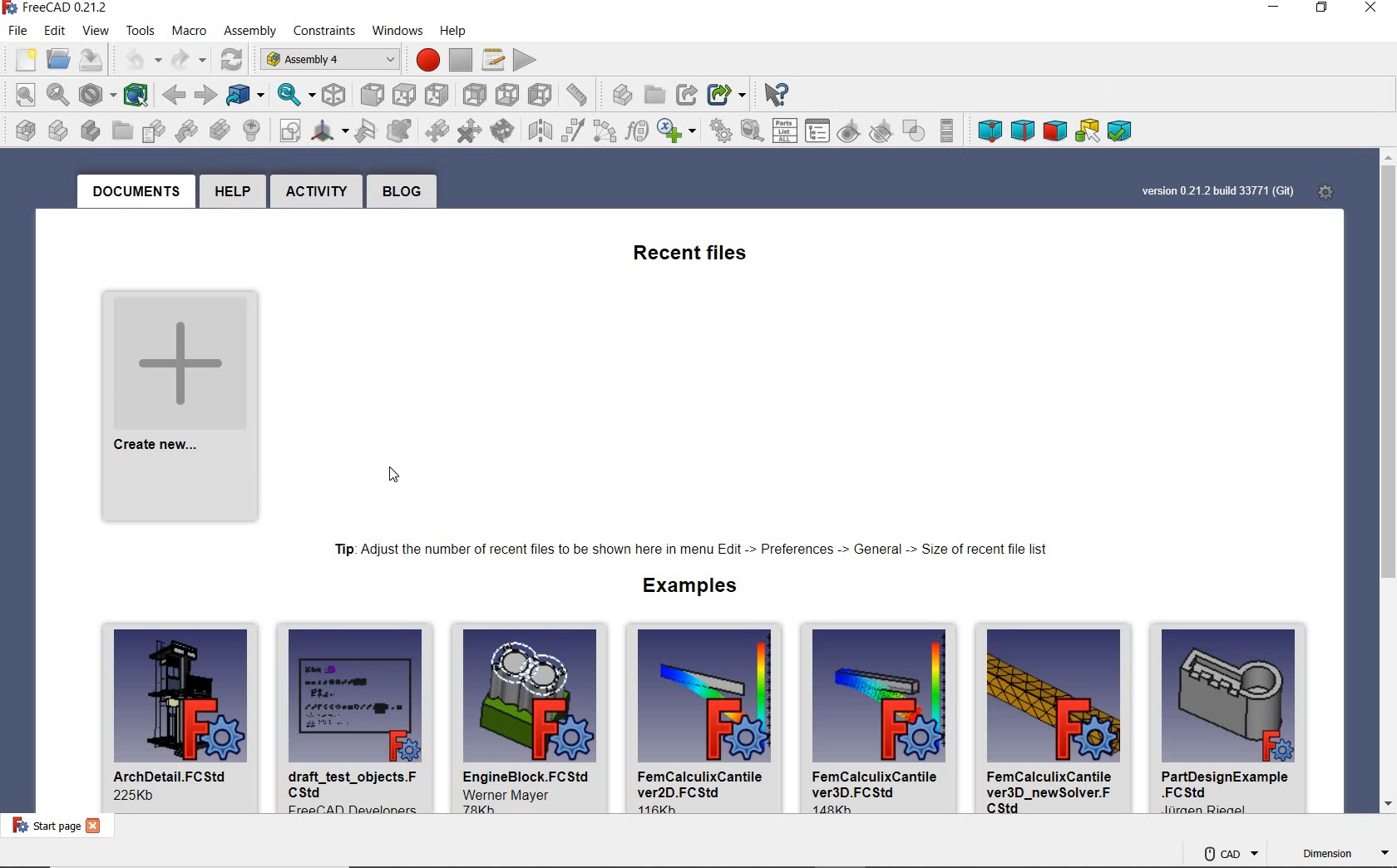 The width and height of the screenshot is (1397, 868). I want to click on documents, so click(136, 191).